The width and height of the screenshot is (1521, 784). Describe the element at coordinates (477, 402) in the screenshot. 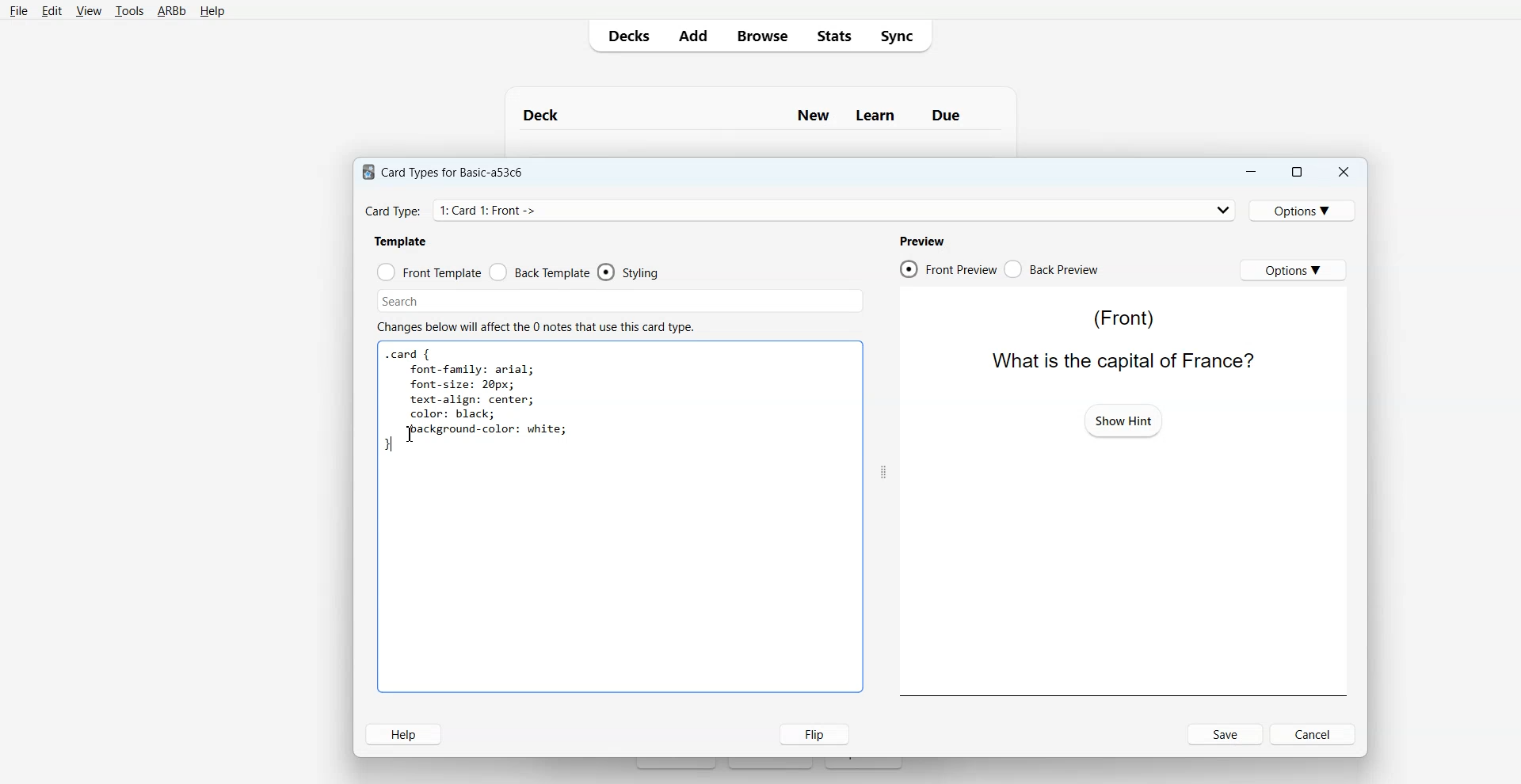

I see `.card {
font-family: arial;
font-size: 20px;
text-align: center;
color: black;

| Jpackground-color: white;

i` at that location.